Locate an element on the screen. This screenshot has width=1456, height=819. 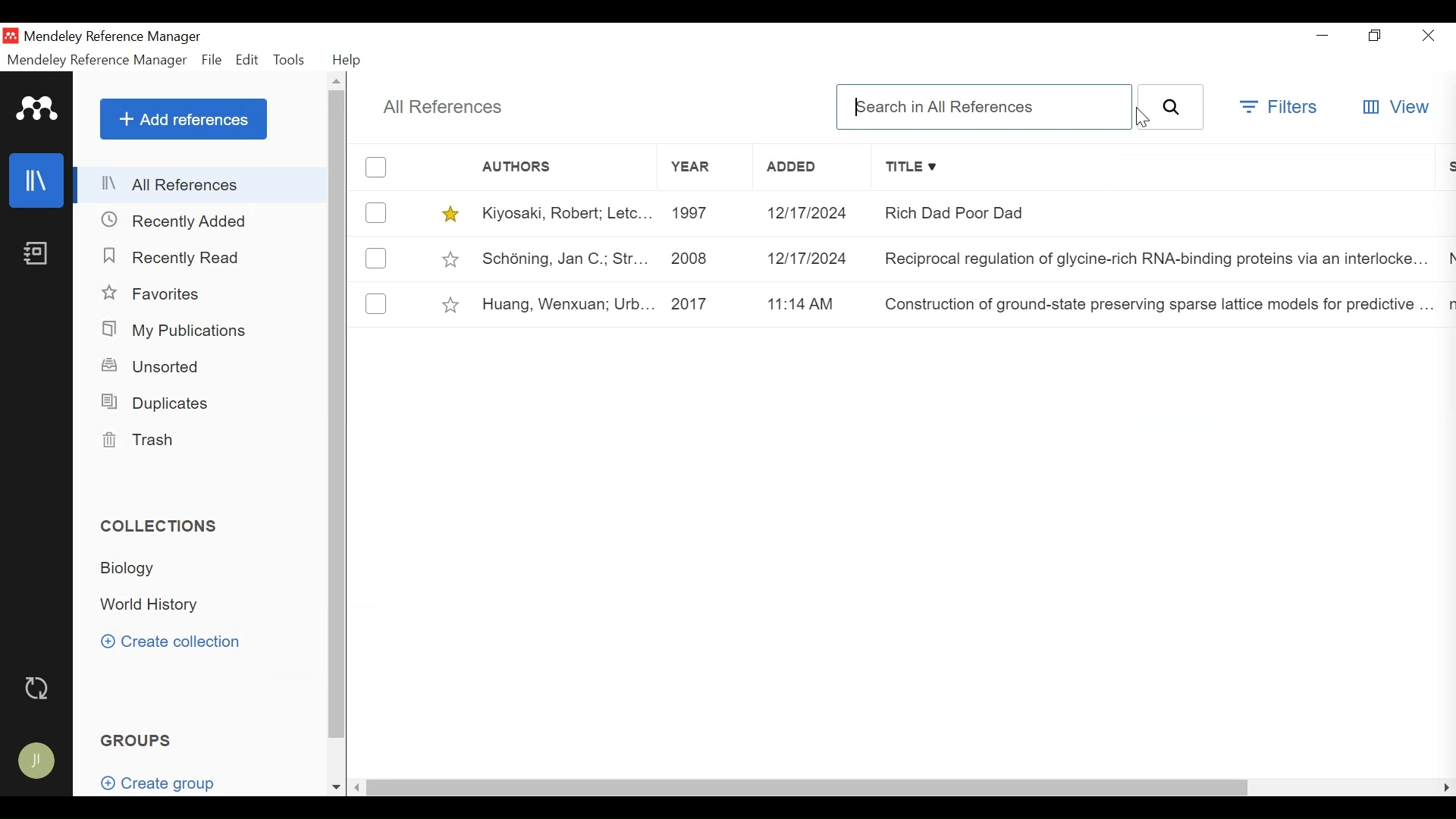
Added is located at coordinates (812, 168).